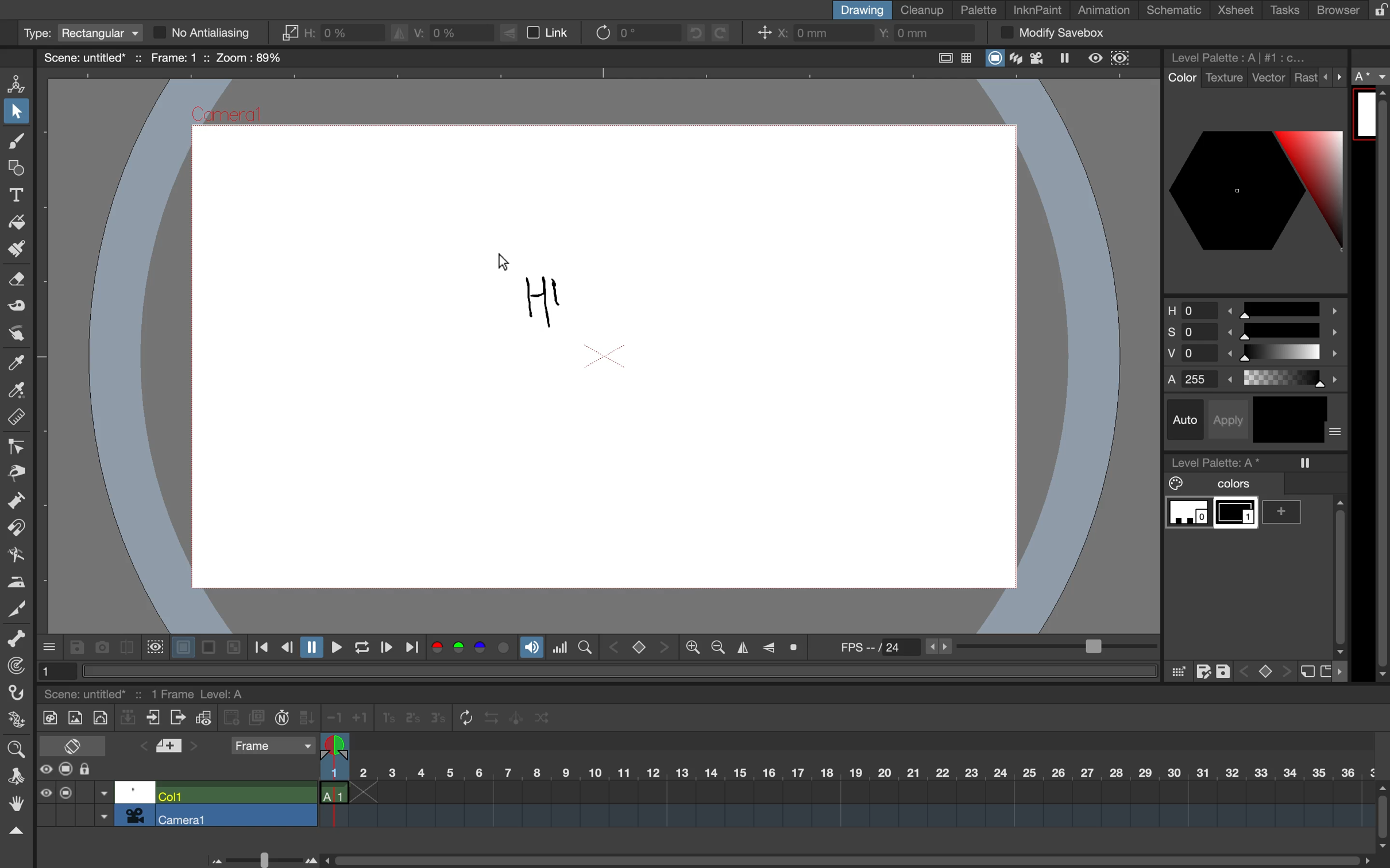 The width and height of the screenshot is (1390, 868). Describe the element at coordinates (213, 33) in the screenshot. I see `no antialiasing` at that location.